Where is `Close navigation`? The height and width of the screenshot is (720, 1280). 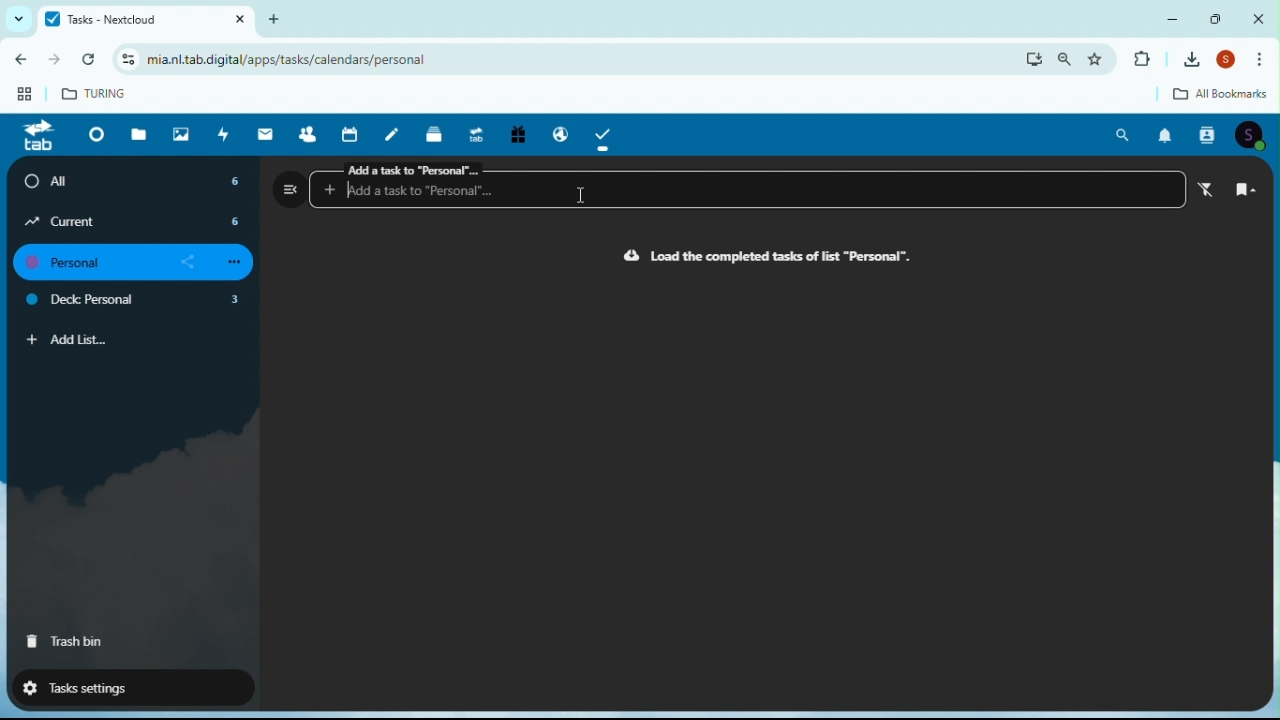 Close navigation is located at coordinates (290, 188).